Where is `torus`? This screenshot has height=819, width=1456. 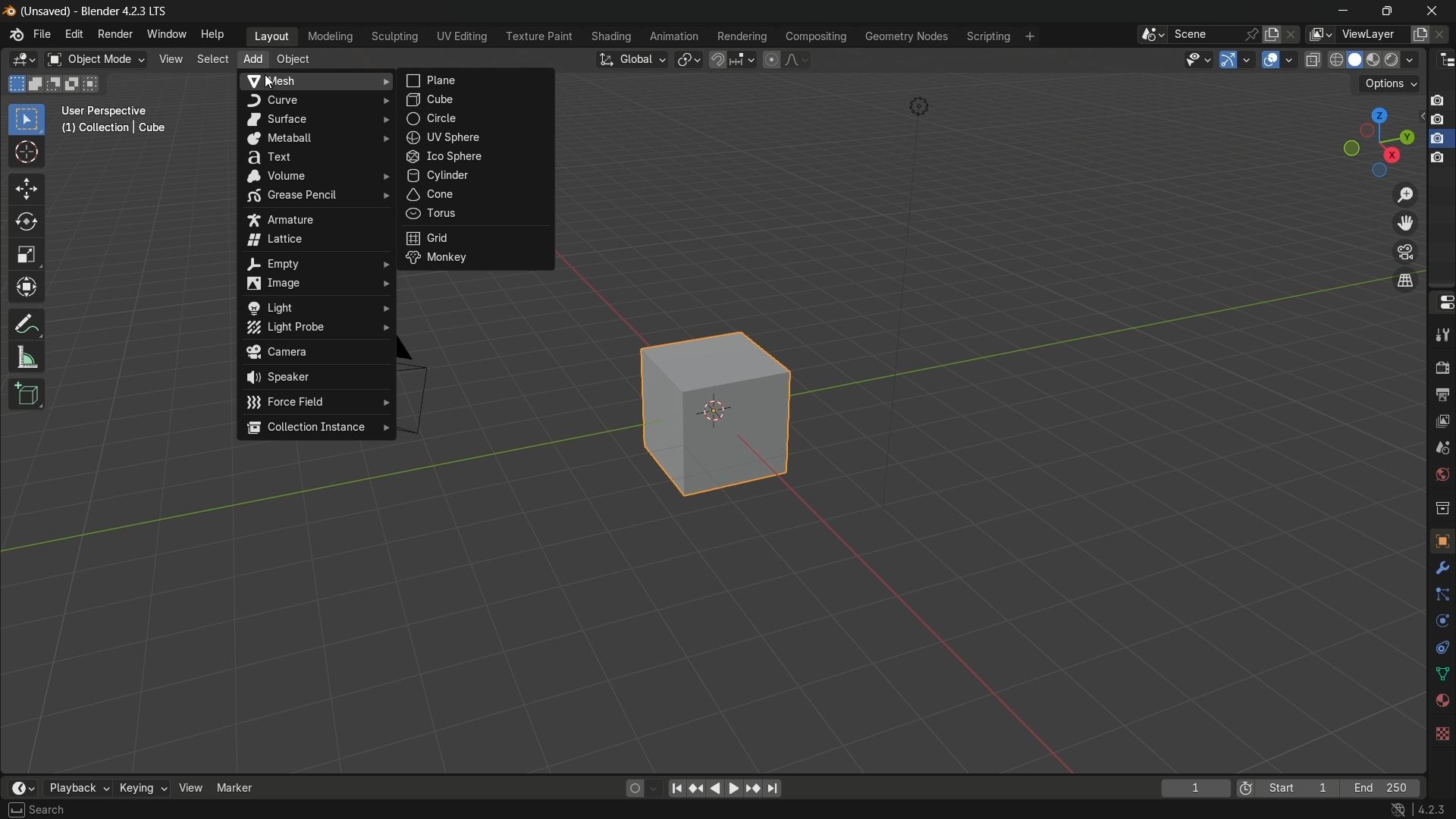 torus is located at coordinates (476, 215).